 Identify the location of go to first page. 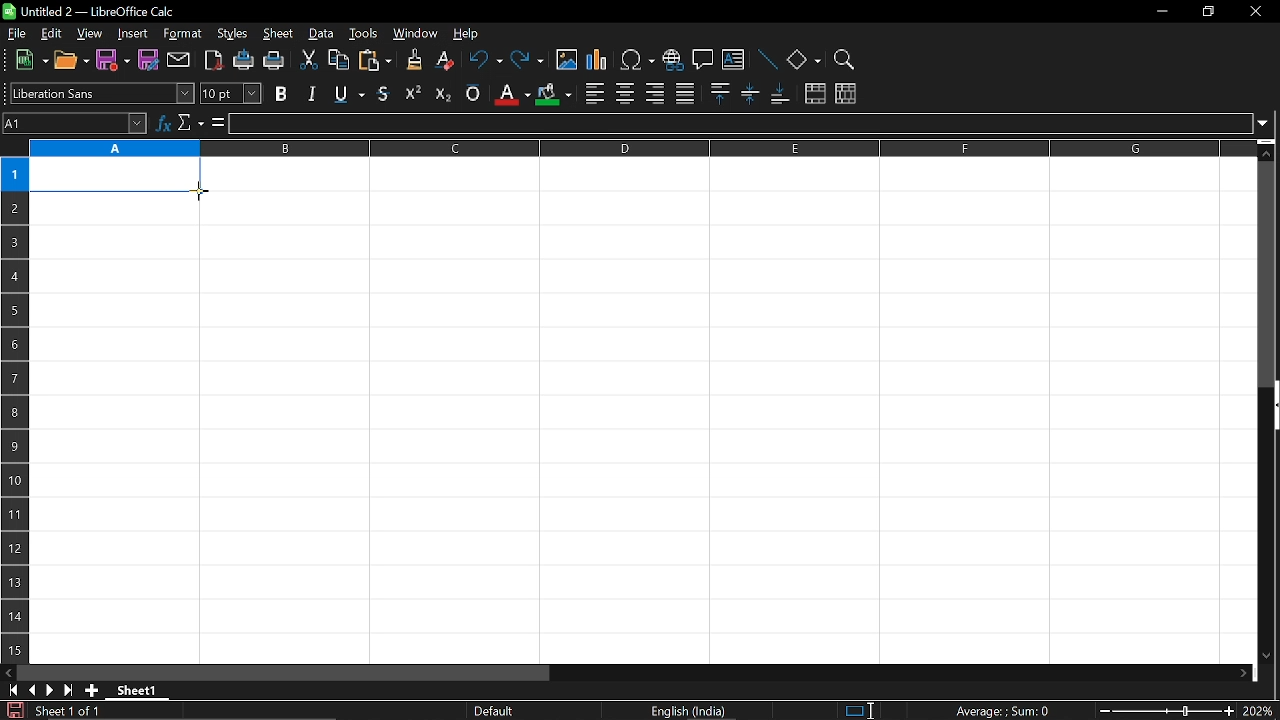
(10, 691).